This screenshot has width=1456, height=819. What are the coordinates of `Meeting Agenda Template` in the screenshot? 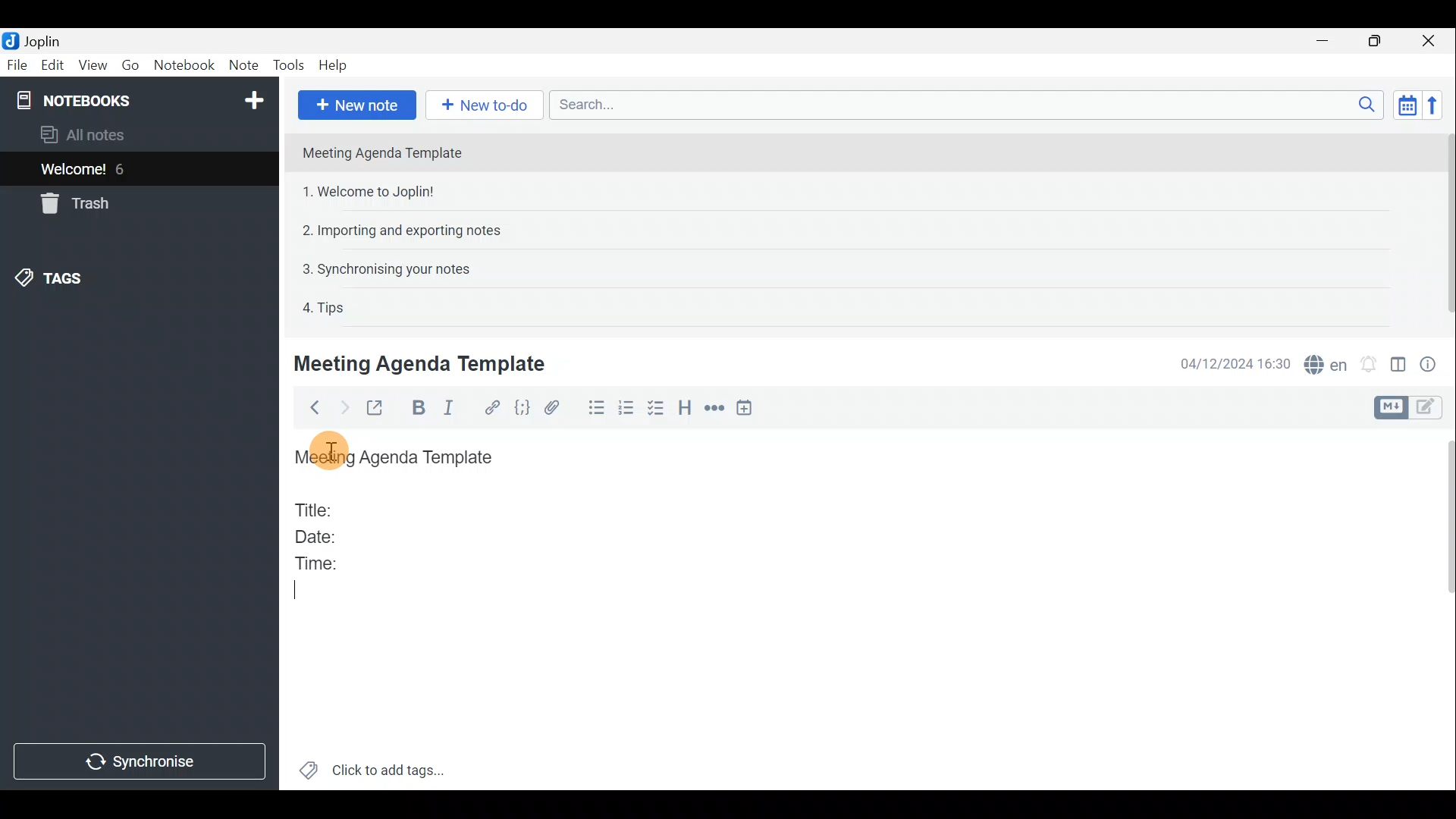 It's located at (384, 152).